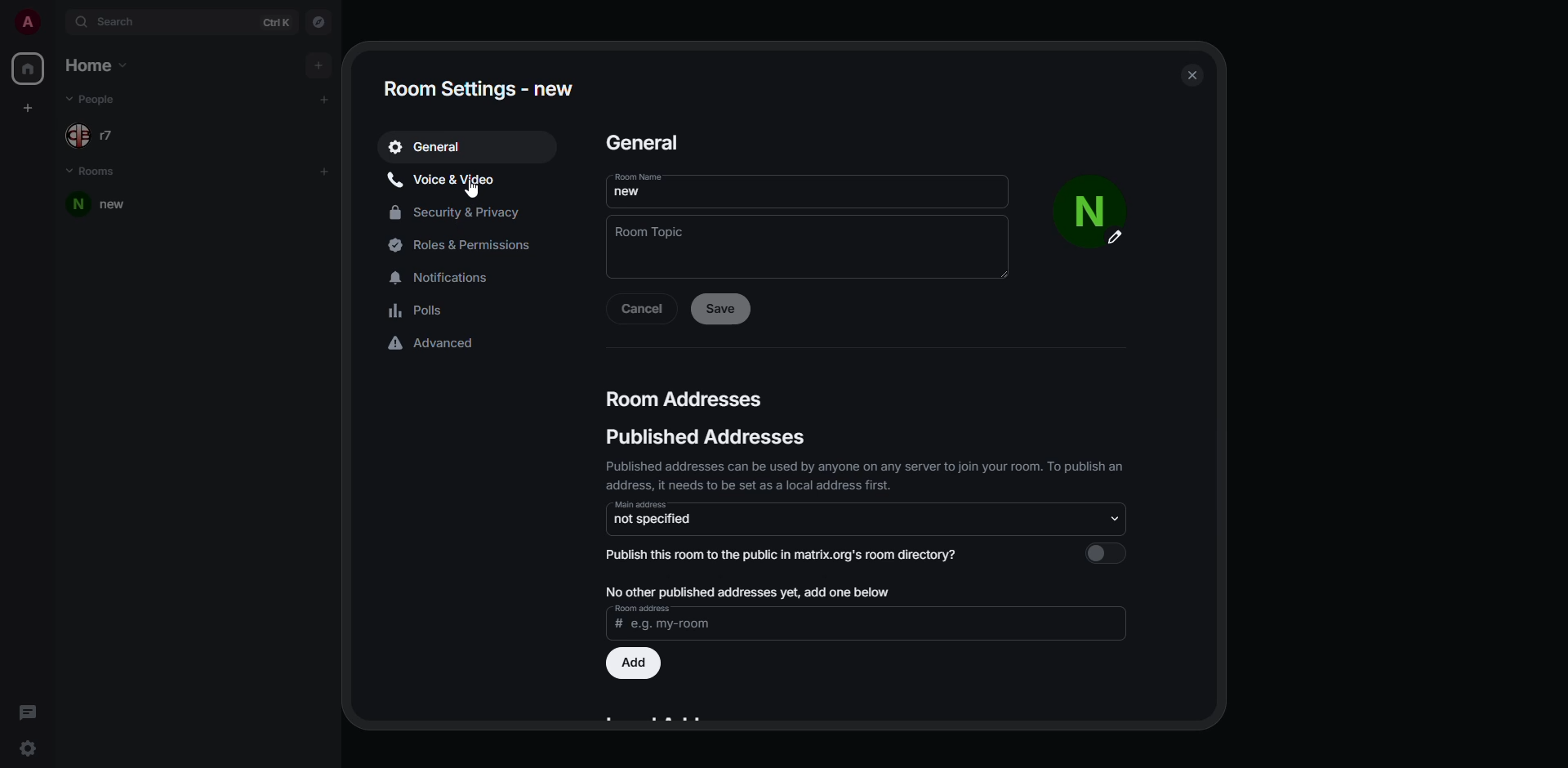 This screenshot has height=768, width=1568. Describe the element at coordinates (99, 66) in the screenshot. I see `home` at that location.